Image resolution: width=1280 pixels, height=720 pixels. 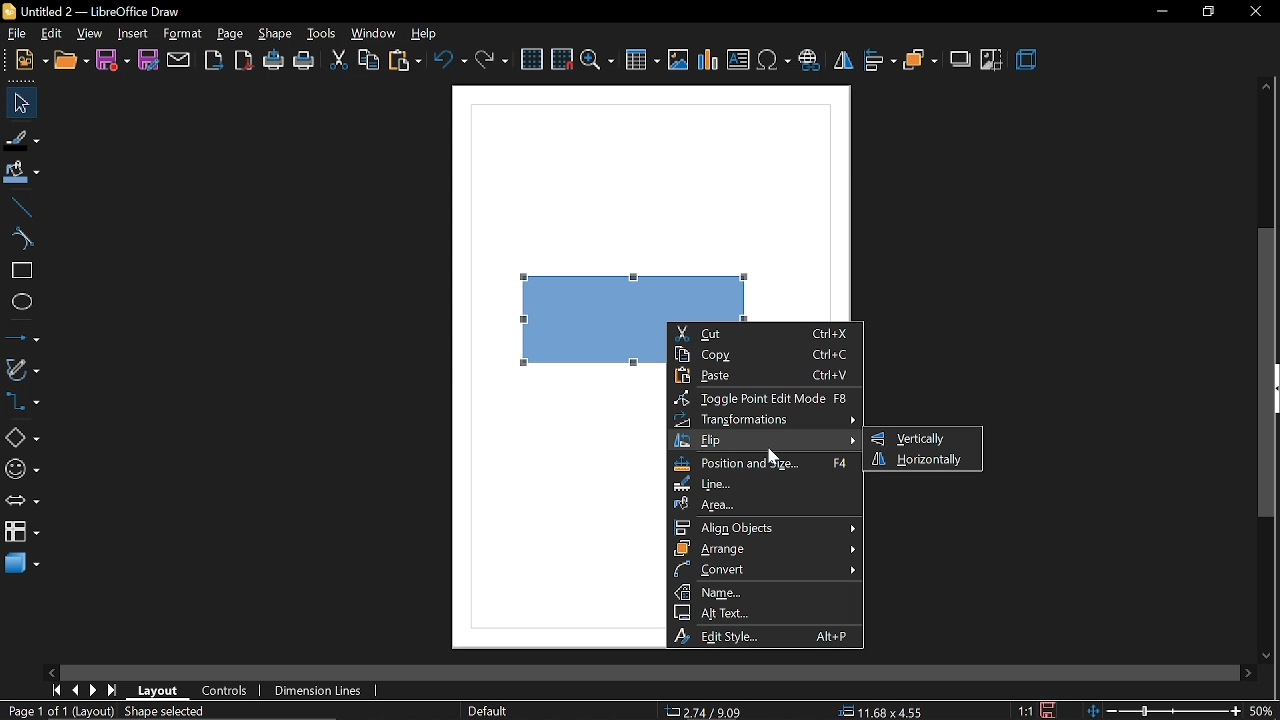 I want to click on controls, so click(x=229, y=691).